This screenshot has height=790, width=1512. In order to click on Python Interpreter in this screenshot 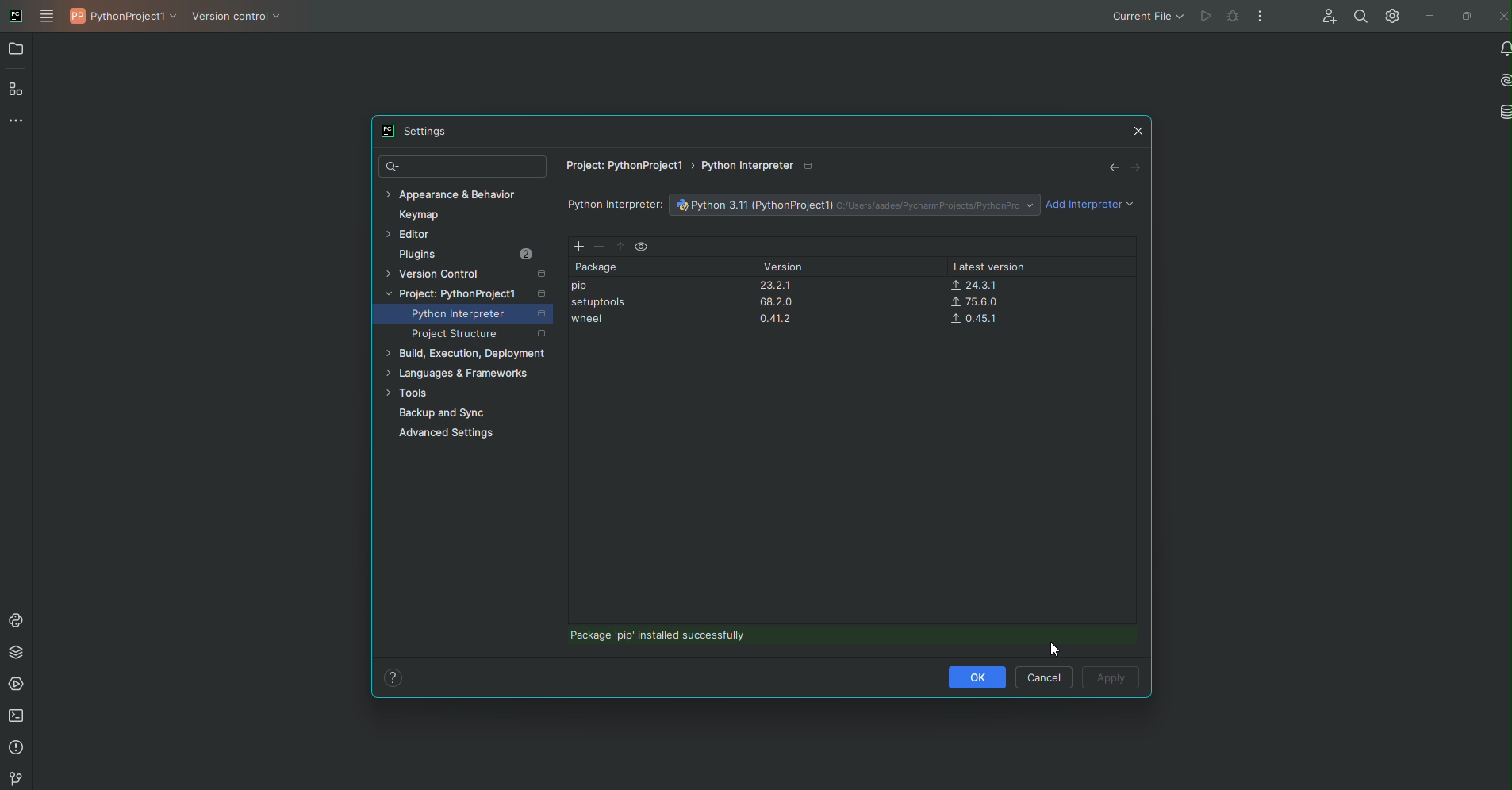, I will do `click(481, 314)`.